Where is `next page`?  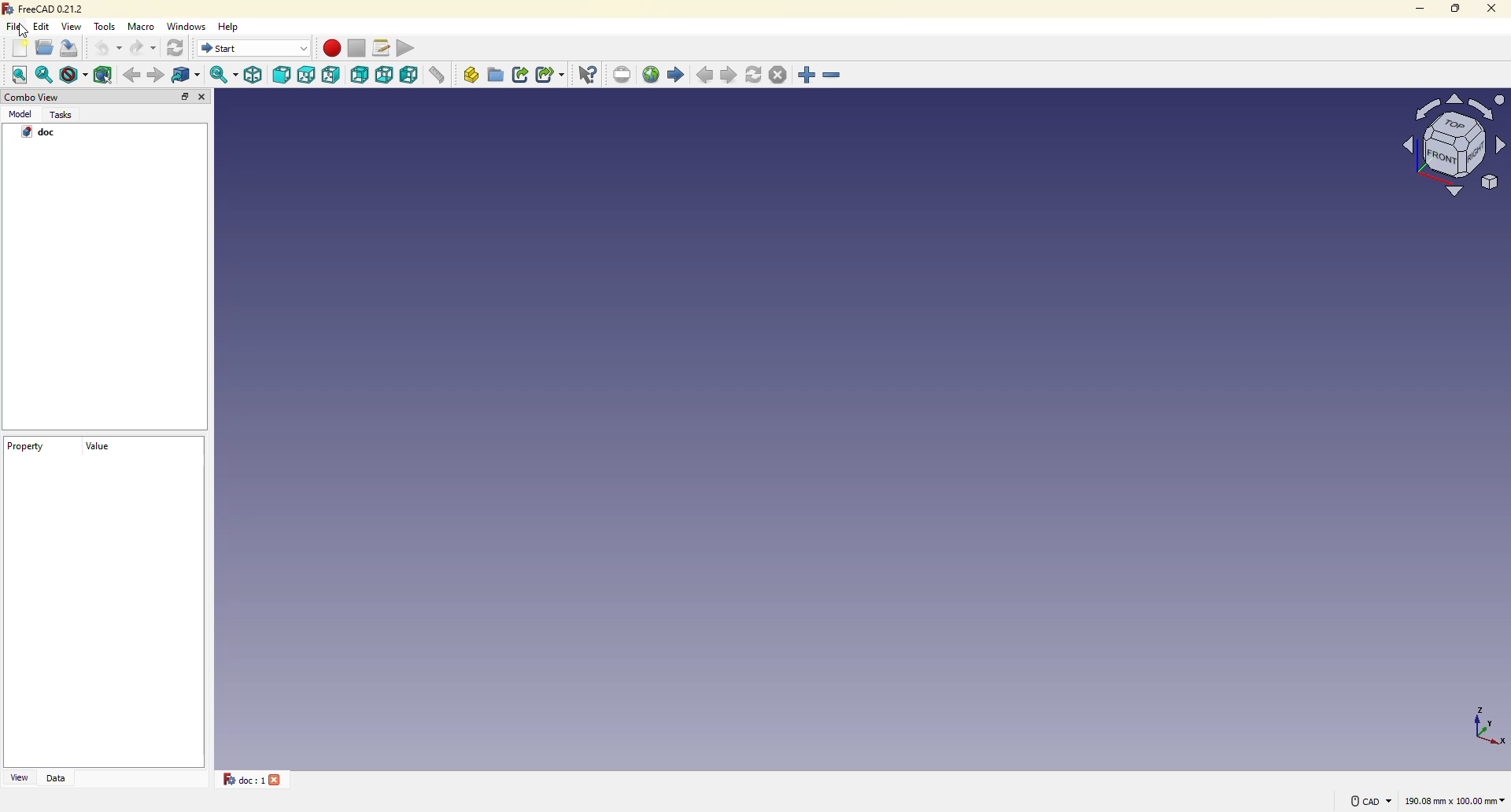
next page is located at coordinates (730, 76).